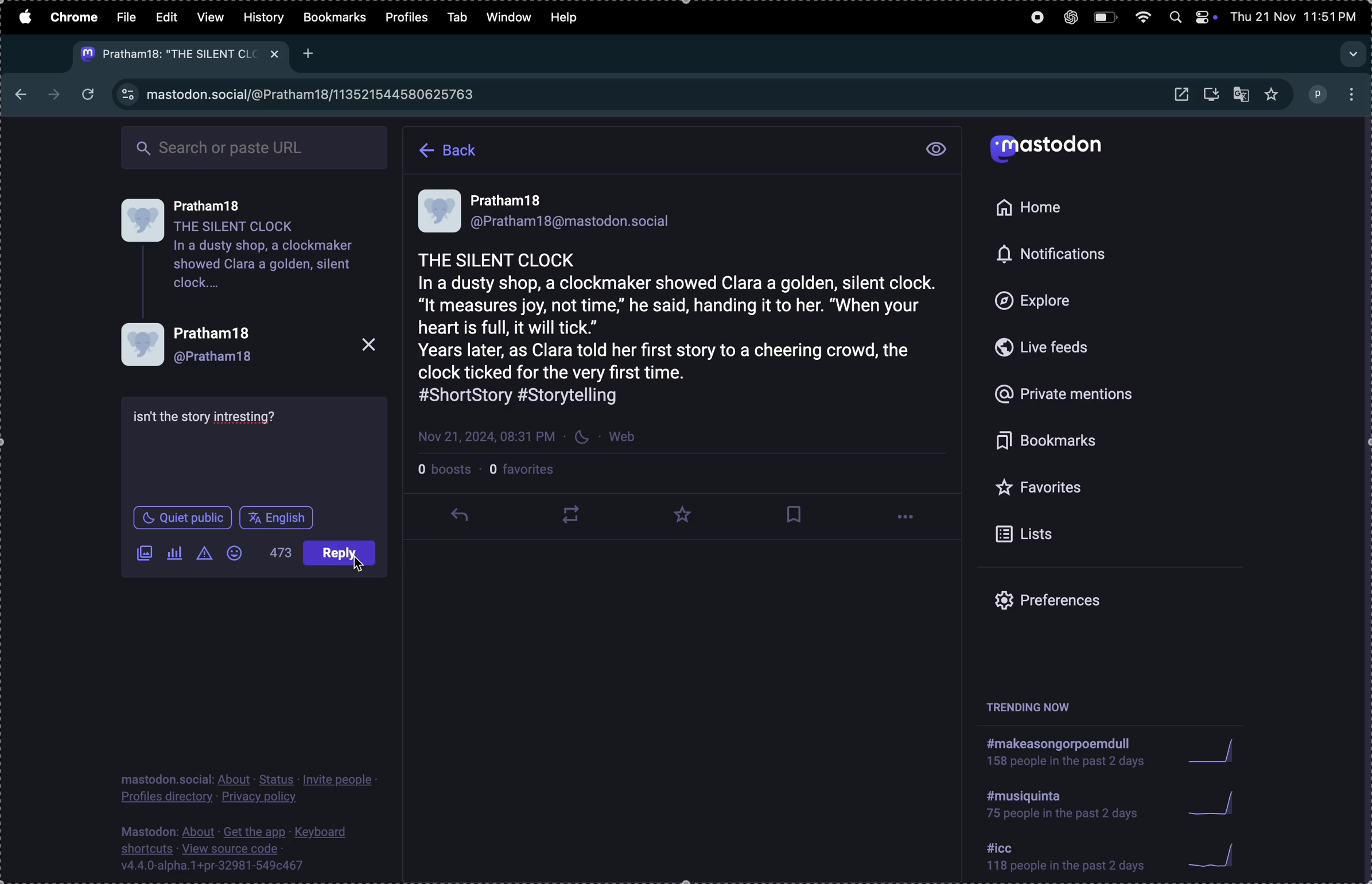 Image resolution: width=1372 pixels, height=884 pixels. What do you see at coordinates (284, 517) in the screenshot?
I see `post` at bounding box center [284, 517].